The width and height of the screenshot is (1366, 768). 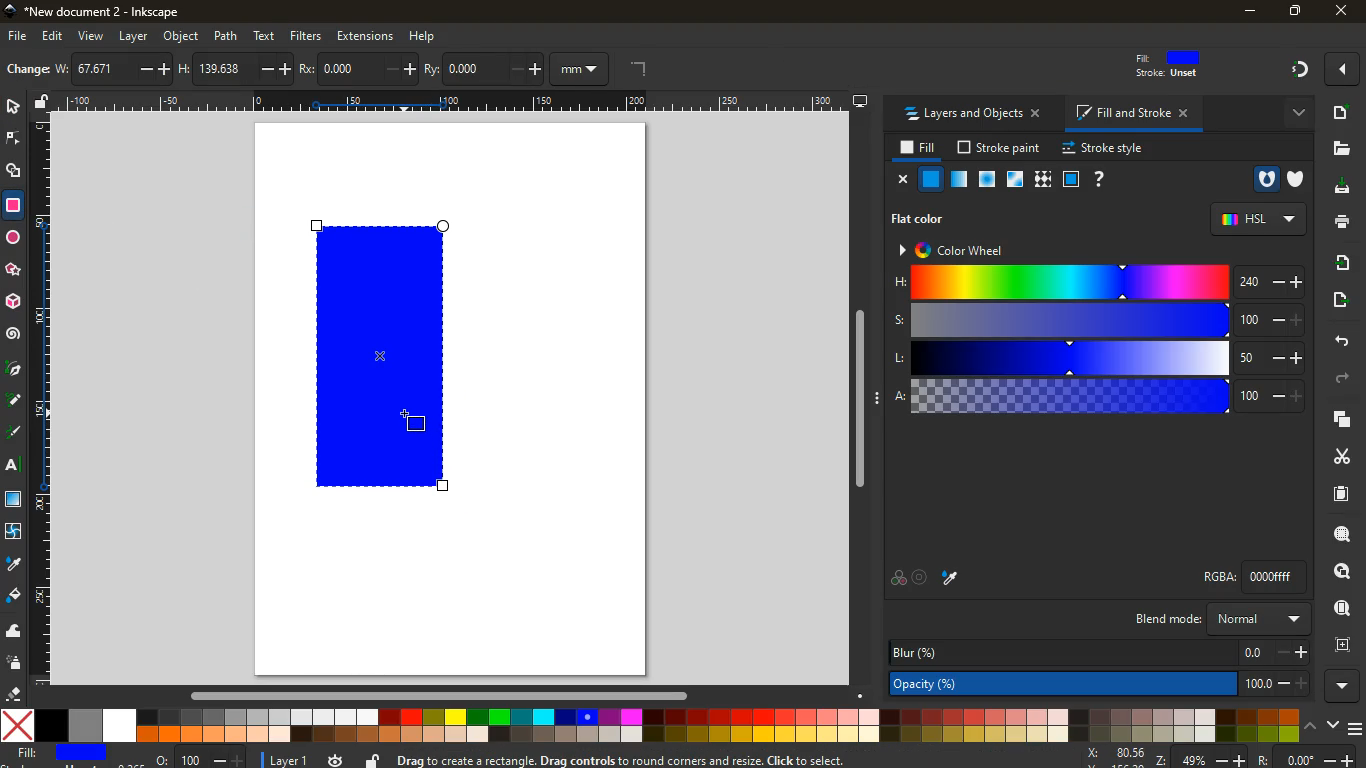 I want to click on message, so click(x=708, y=759).